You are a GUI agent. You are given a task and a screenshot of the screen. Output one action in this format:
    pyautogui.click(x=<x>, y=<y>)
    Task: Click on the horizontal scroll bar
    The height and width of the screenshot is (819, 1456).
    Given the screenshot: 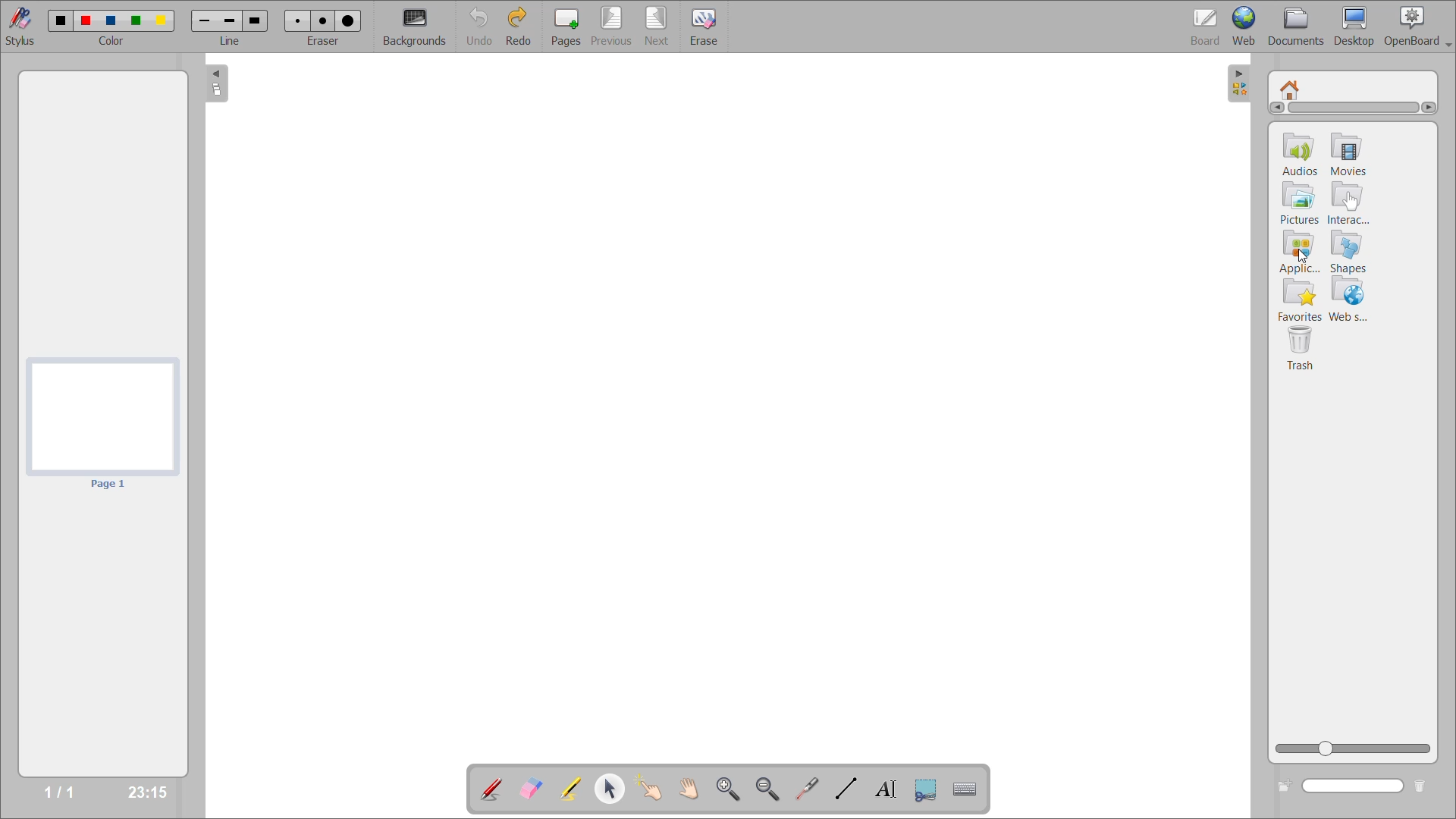 What is the action you would take?
    pyautogui.click(x=1352, y=108)
    